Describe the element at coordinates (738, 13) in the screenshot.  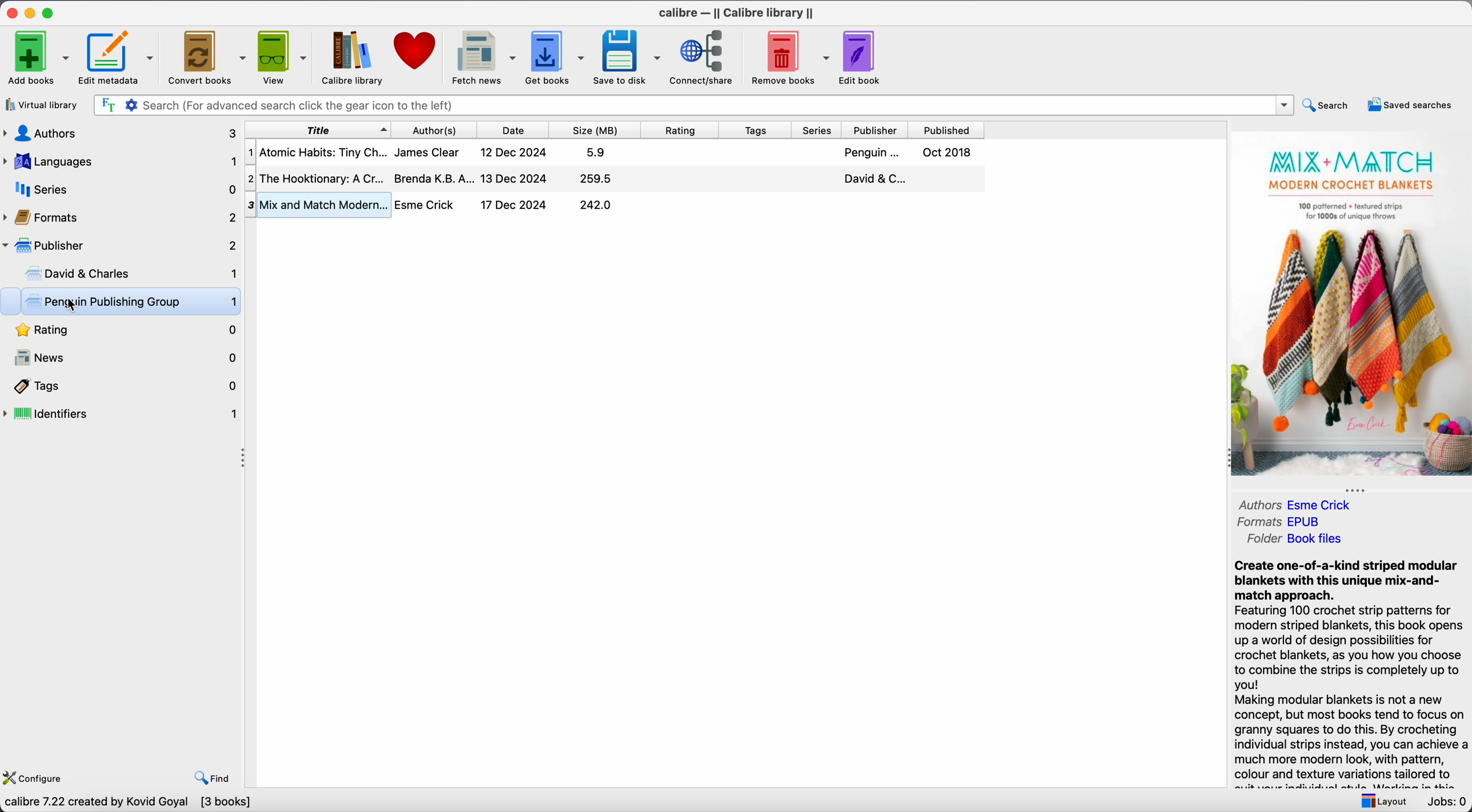
I see `Calibre` at that location.